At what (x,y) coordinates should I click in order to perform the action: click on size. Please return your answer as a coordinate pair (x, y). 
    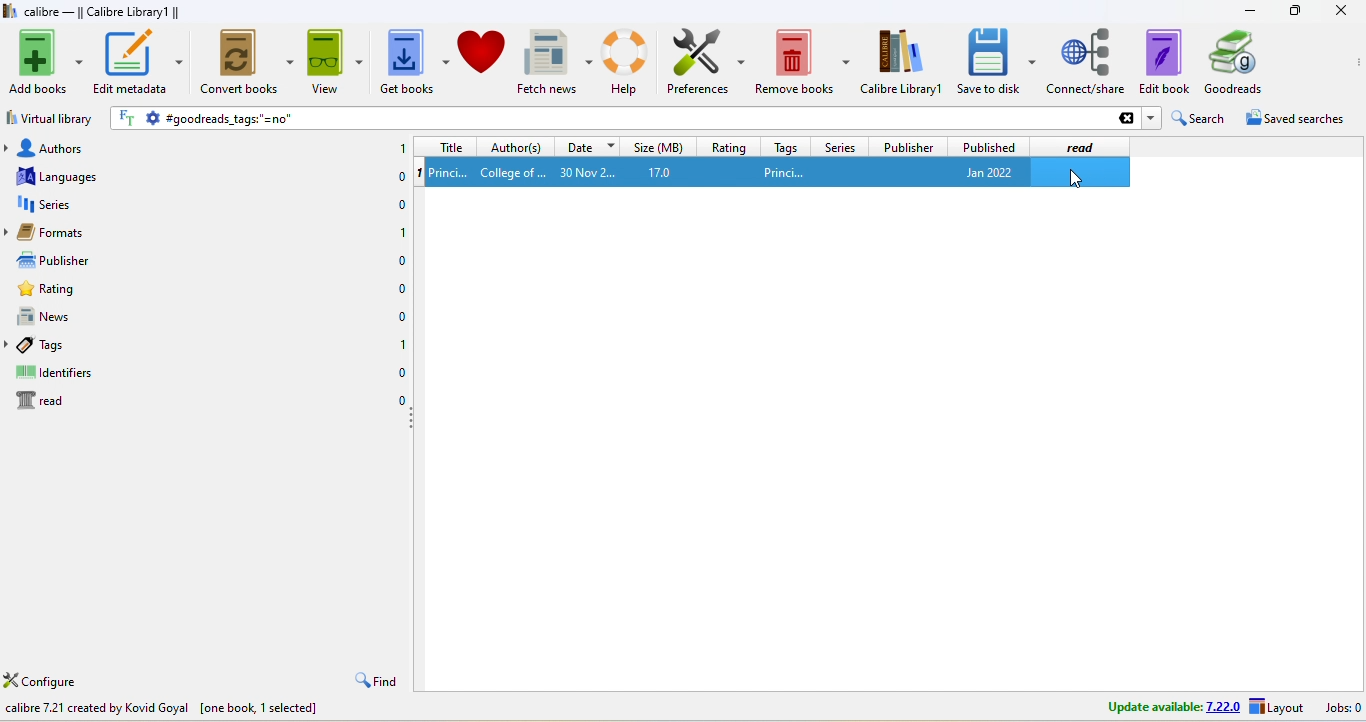
    Looking at the image, I should click on (657, 146).